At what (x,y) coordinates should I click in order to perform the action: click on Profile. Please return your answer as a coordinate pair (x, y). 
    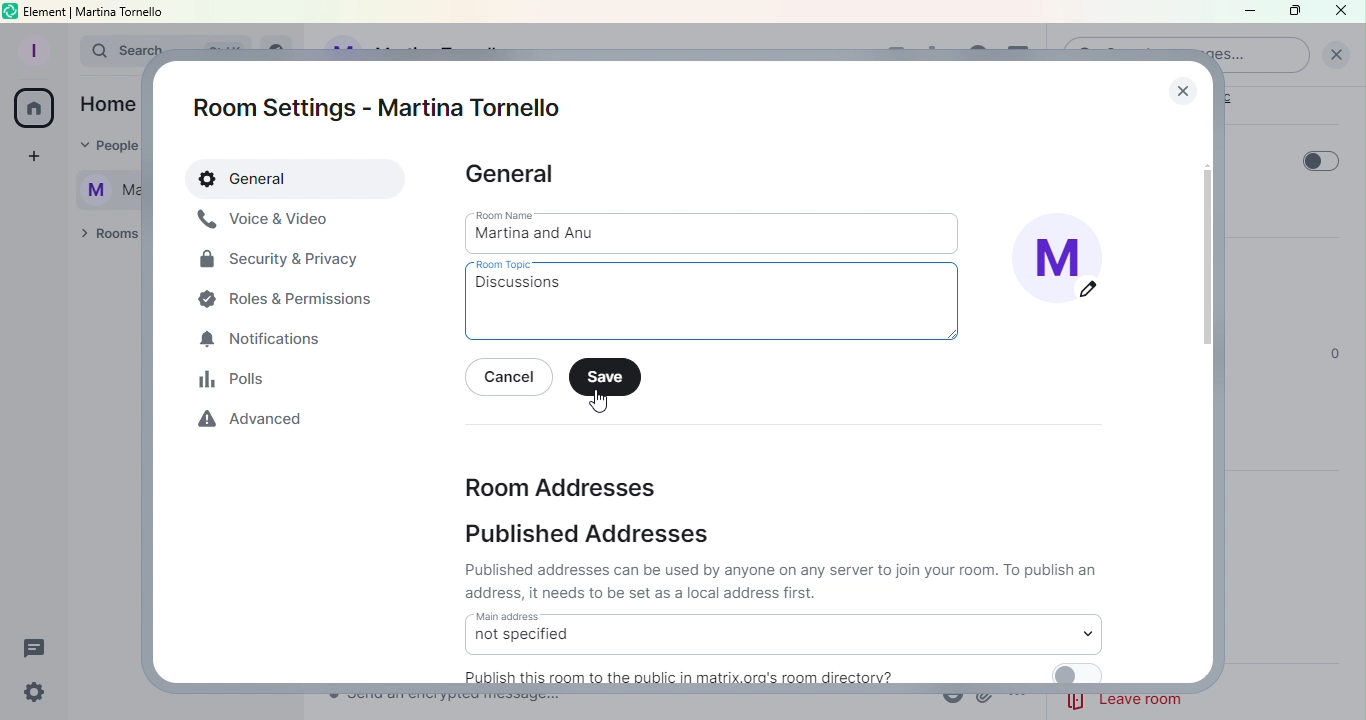
    Looking at the image, I should click on (31, 48).